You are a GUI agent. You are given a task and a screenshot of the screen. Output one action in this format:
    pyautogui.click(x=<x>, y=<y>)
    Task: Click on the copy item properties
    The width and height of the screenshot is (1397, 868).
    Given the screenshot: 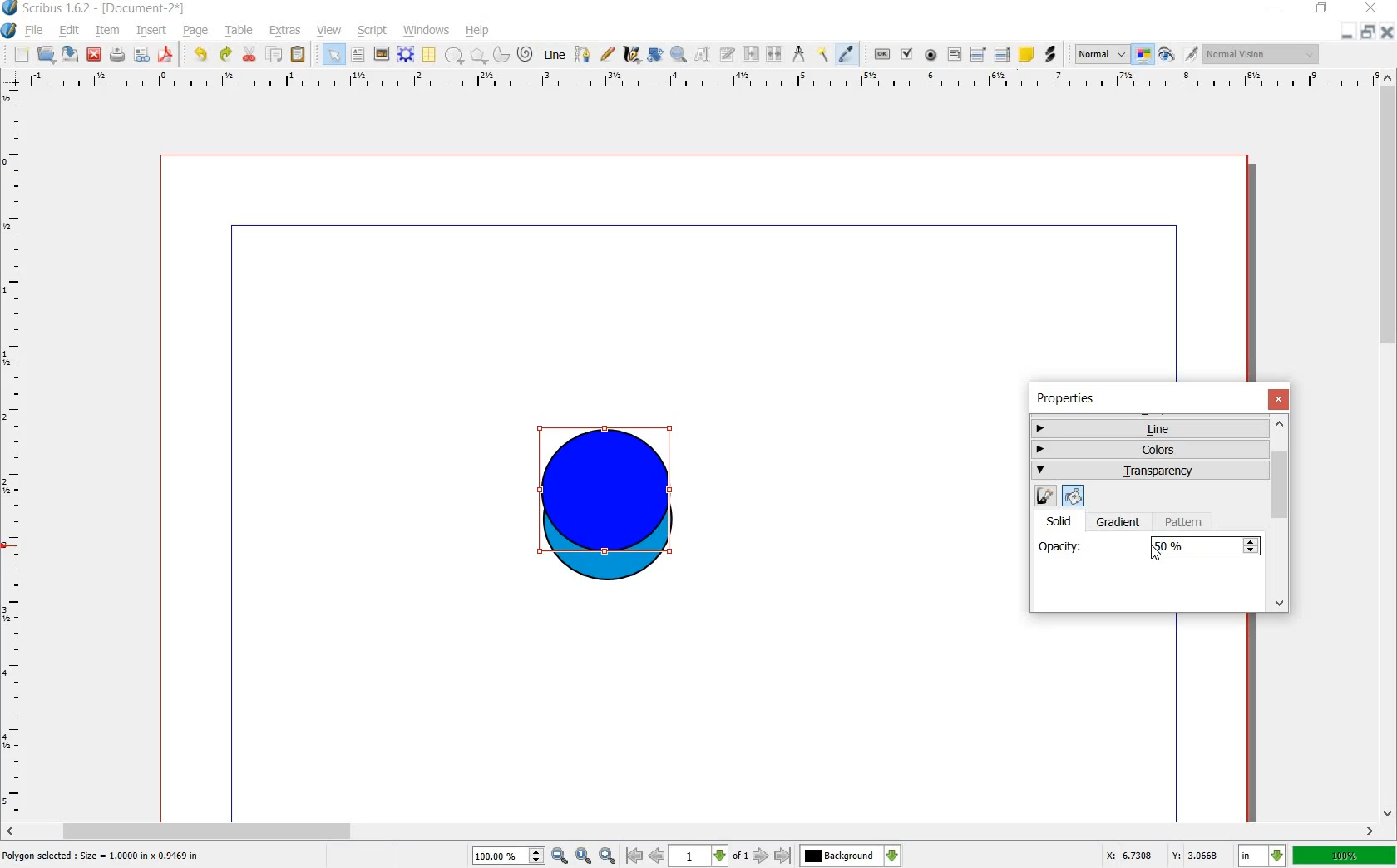 What is the action you would take?
    pyautogui.click(x=823, y=56)
    